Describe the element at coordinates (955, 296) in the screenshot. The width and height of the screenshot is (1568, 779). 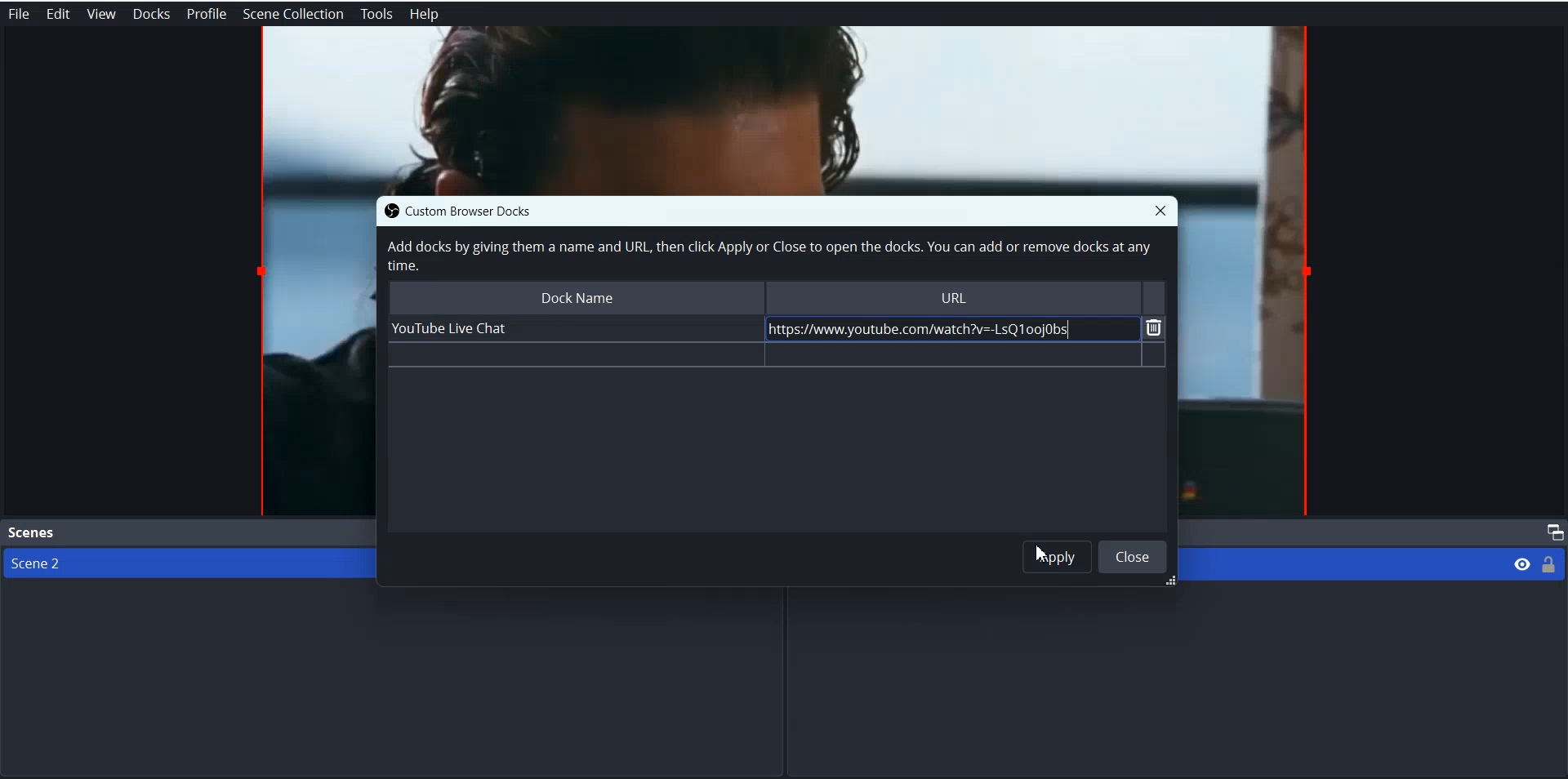
I see `URL` at that location.